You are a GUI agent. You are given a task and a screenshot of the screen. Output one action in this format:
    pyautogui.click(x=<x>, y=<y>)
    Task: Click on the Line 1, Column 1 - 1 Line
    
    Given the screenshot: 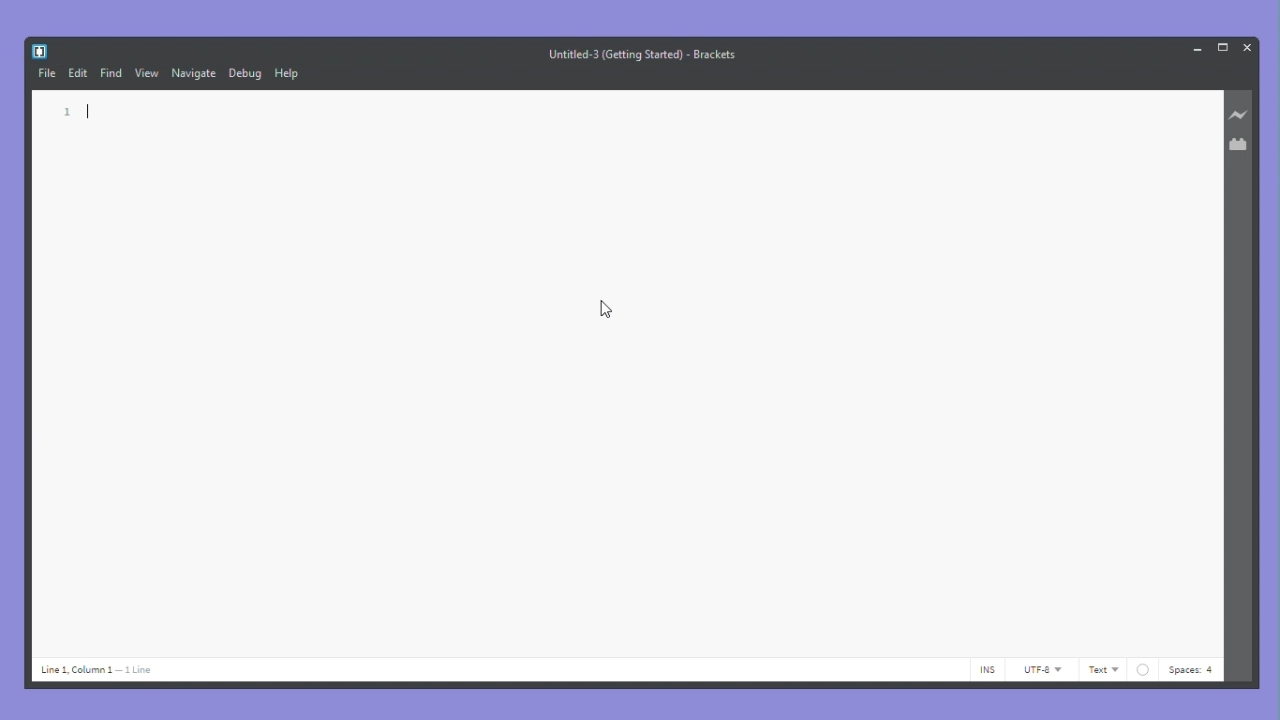 What is the action you would take?
    pyautogui.click(x=104, y=671)
    